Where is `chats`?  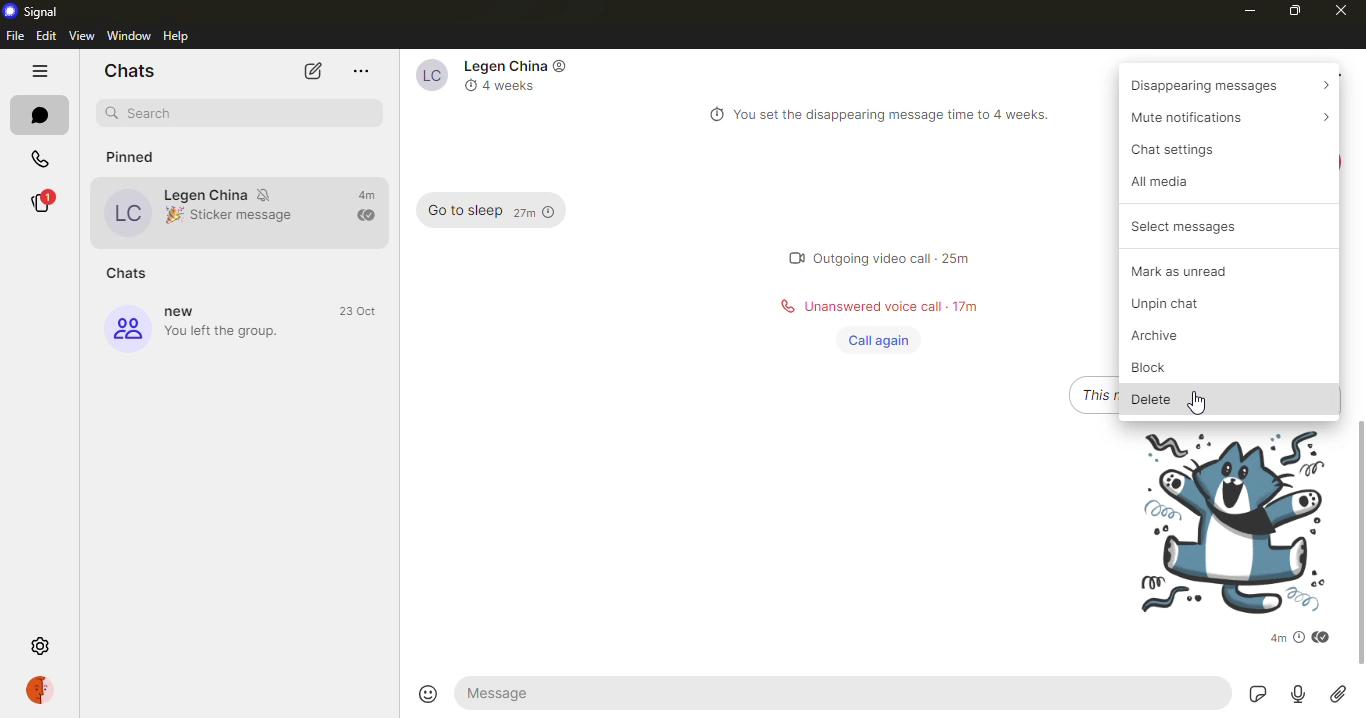
chats is located at coordinates (35, 115).